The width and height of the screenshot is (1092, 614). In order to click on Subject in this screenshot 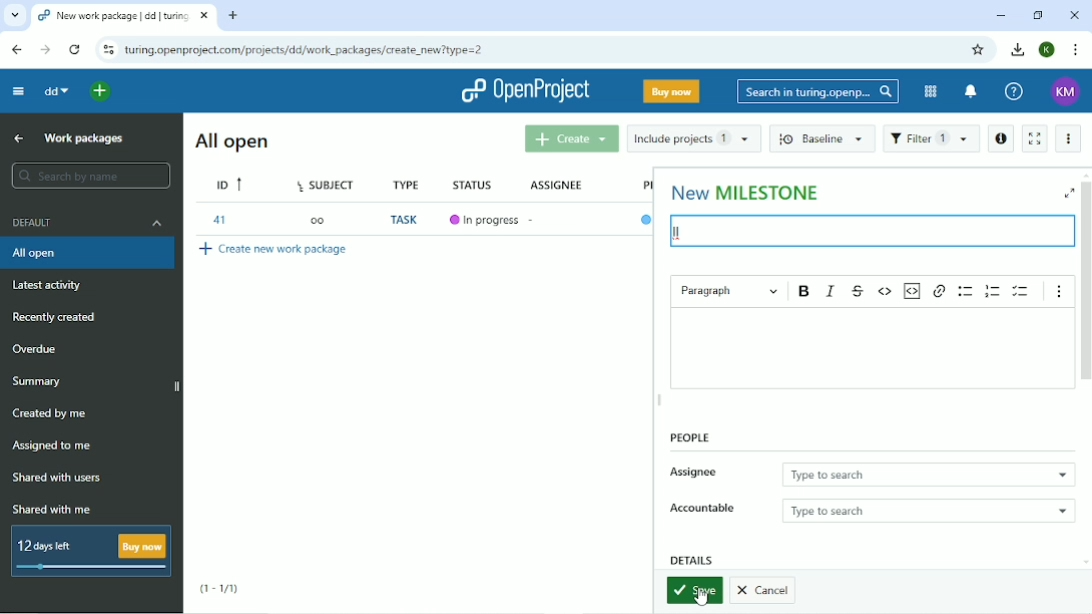, I will do `click(329, 183)`.